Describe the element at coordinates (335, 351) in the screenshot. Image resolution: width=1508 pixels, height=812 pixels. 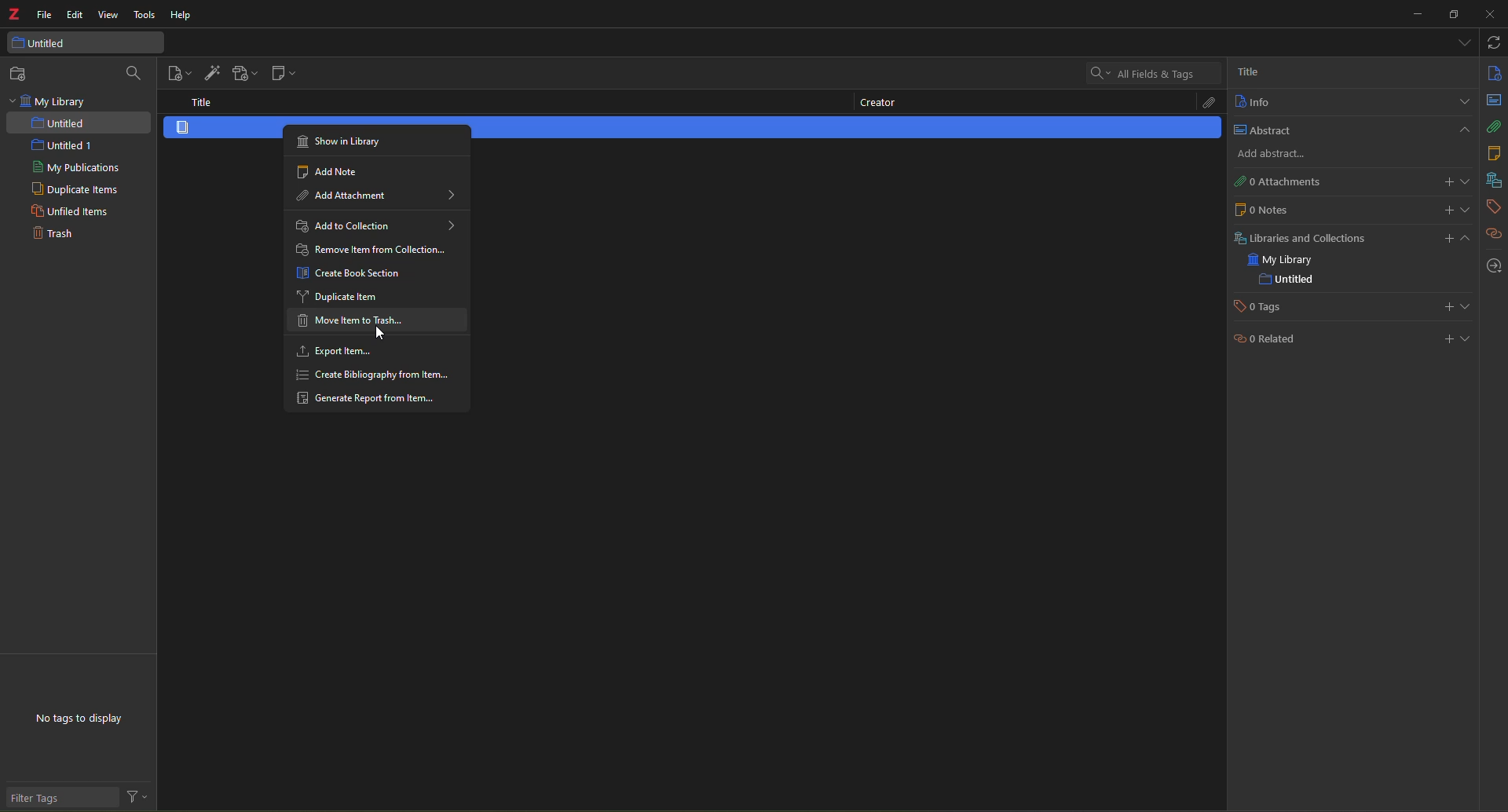
I see `export item` at that location.